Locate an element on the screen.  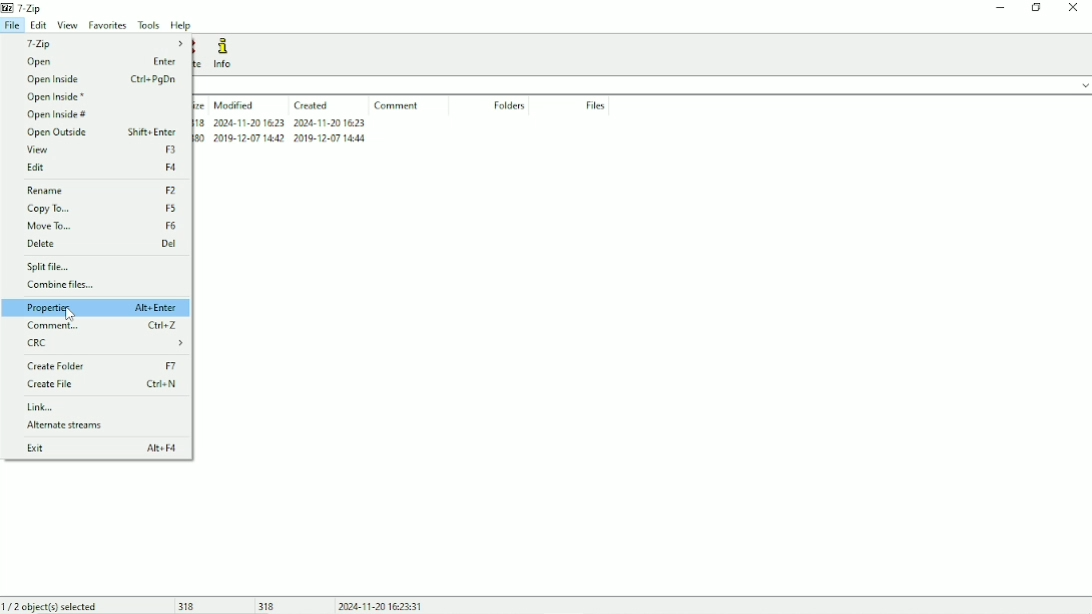
Create Folder is located at coordinates (101, 366).